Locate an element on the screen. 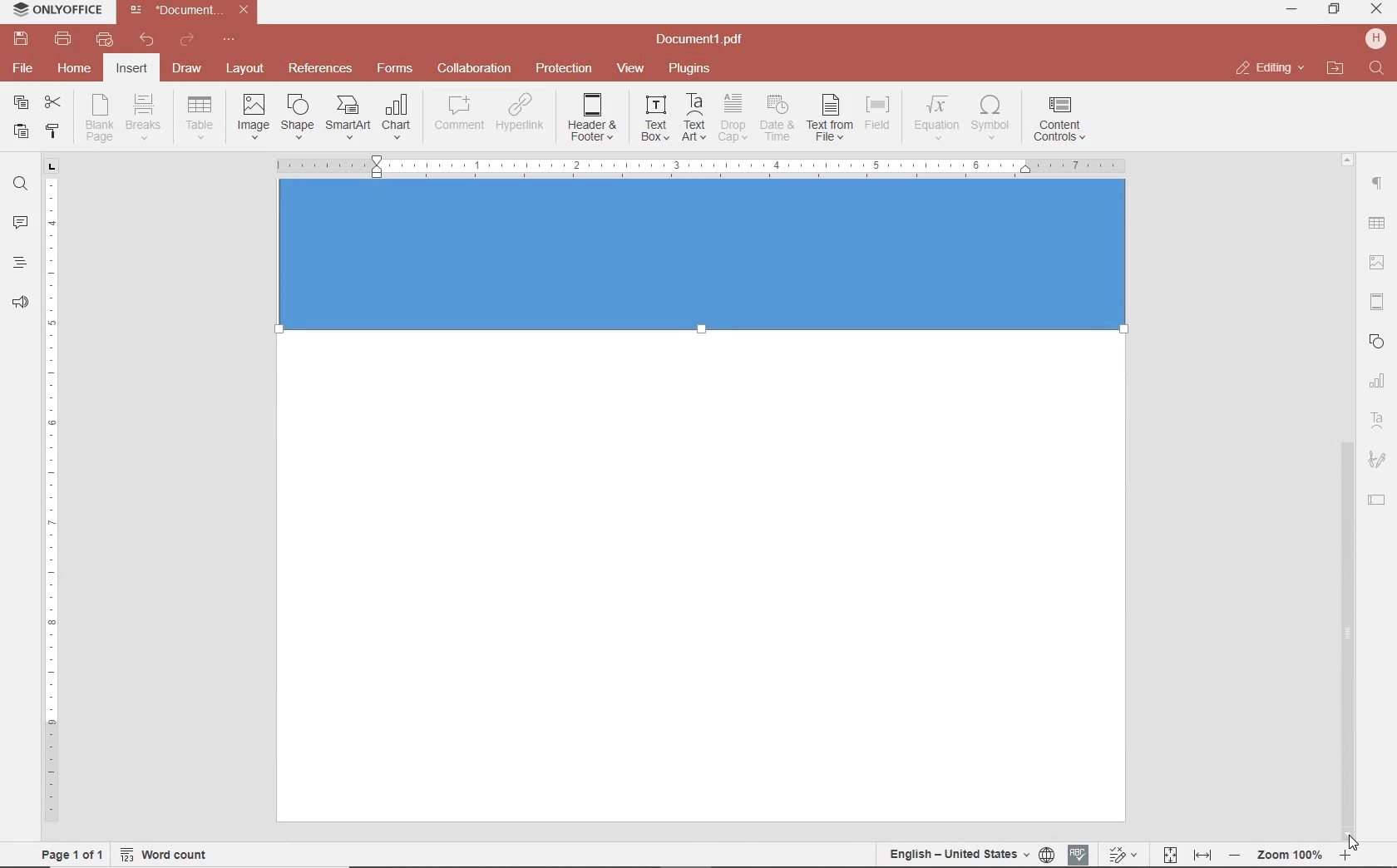 Image resolution: width=1397 pixels, height=868 pixels. home is located at coordinates (72, 67).